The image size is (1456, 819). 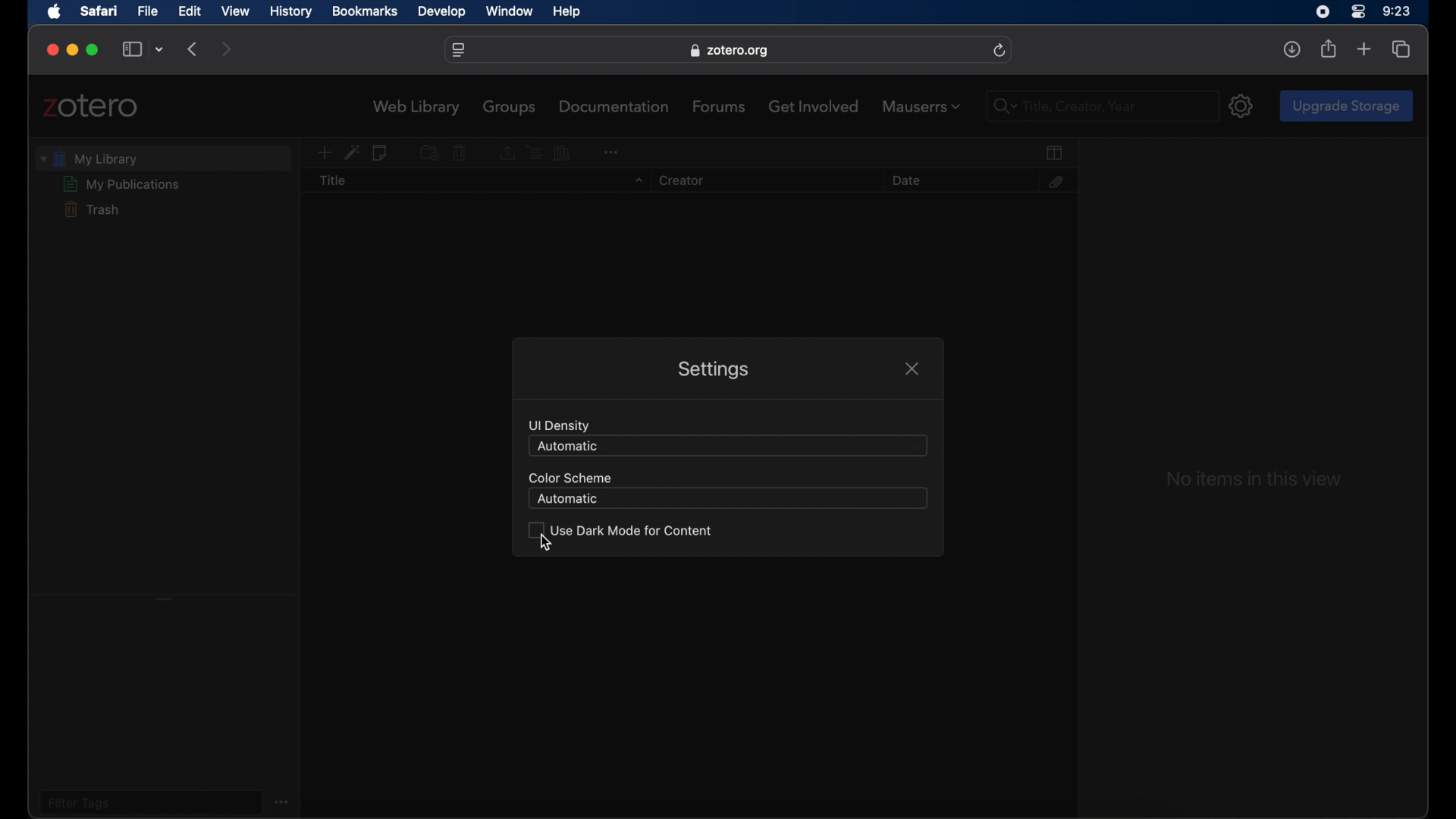 What do you see at coordinates (568, 500) in the screenshot?
I see `automatic` at bounding box center [568, 500].